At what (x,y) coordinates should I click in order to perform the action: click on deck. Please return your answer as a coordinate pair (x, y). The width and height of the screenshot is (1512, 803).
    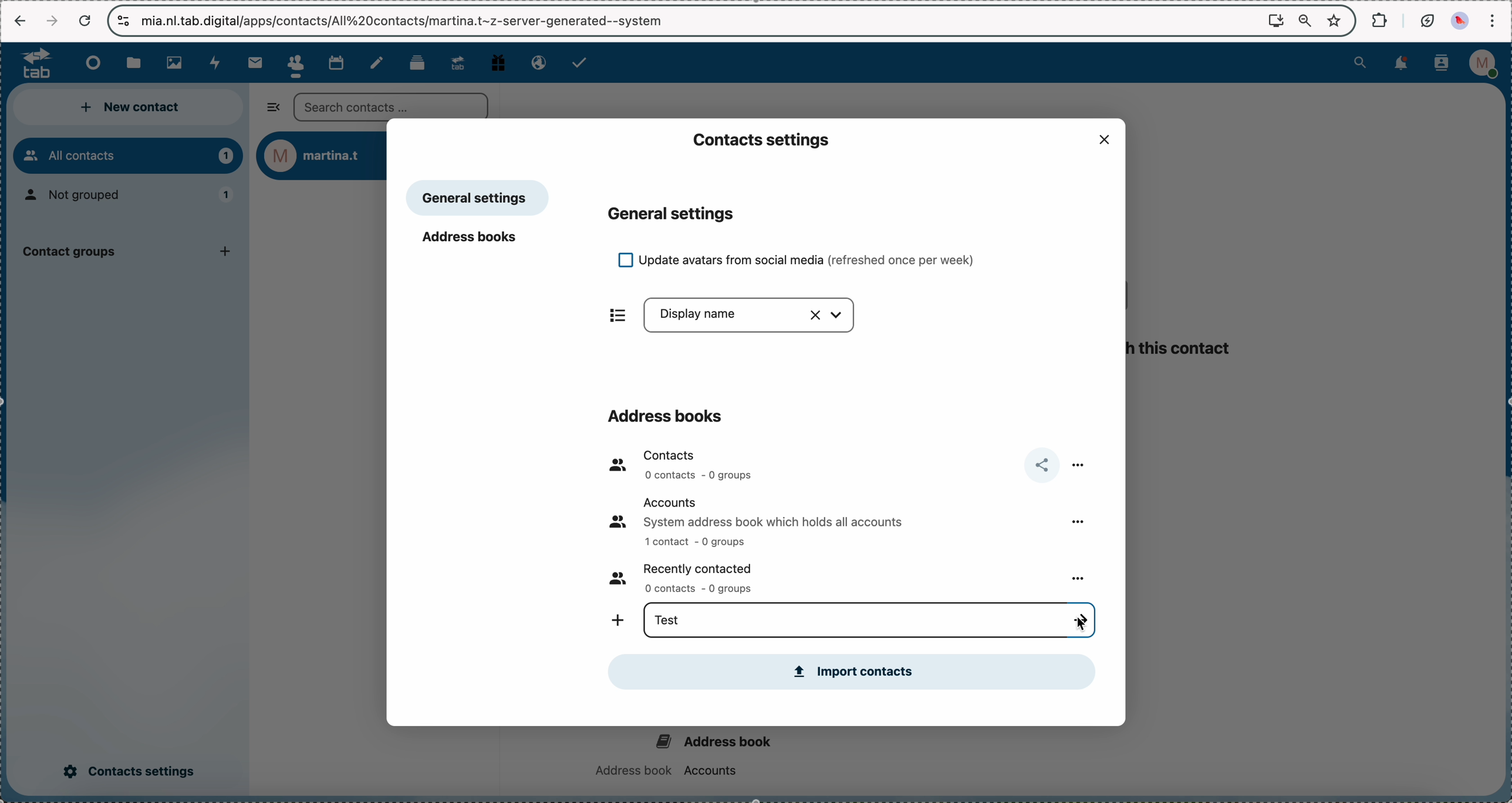
    Looking at the image, I should click on (416, 63).